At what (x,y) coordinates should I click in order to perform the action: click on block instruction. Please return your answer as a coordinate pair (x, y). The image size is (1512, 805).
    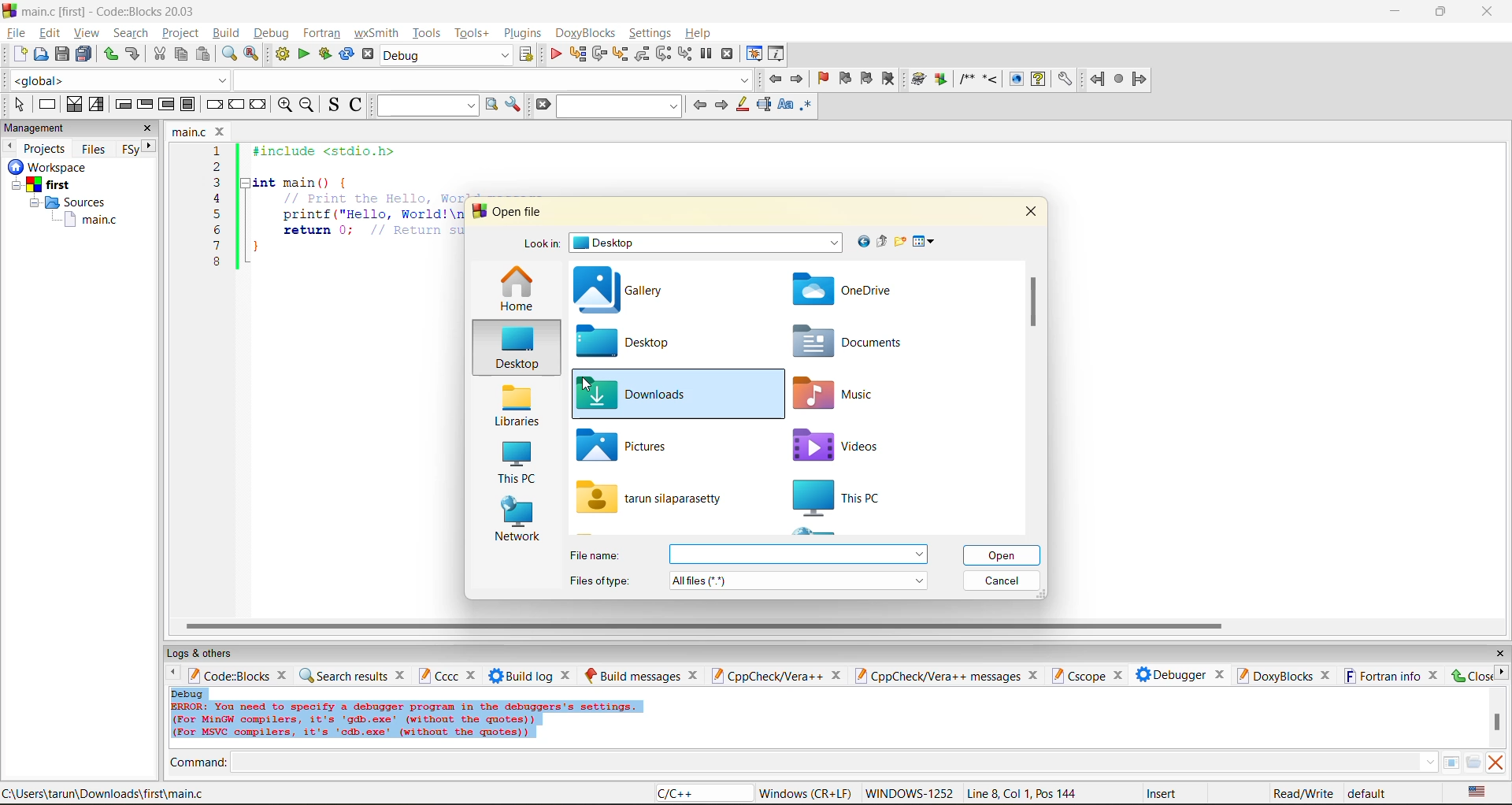
    Looking at the image, I should click on (188, 105).